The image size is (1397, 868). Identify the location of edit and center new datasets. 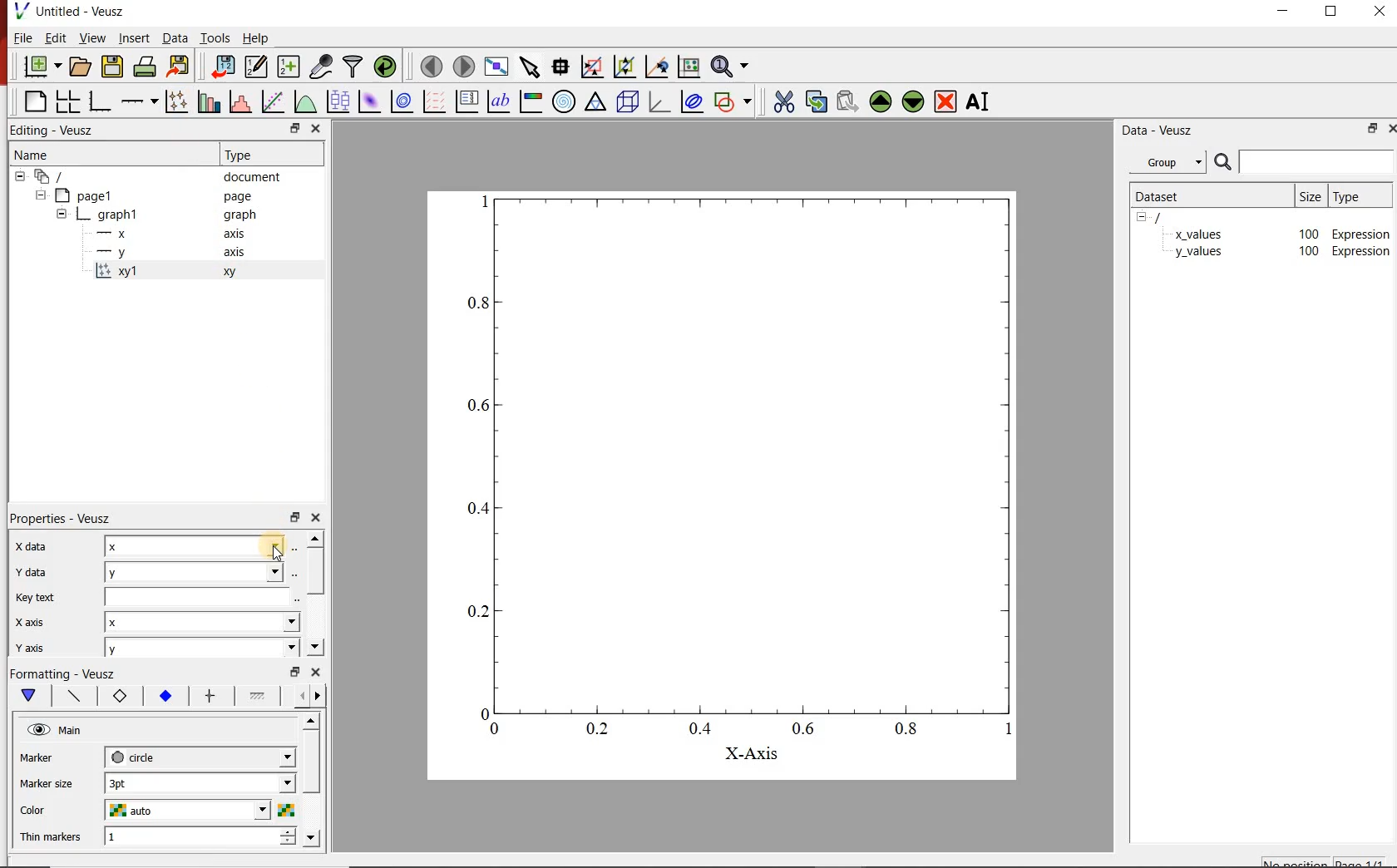
(258, 67).